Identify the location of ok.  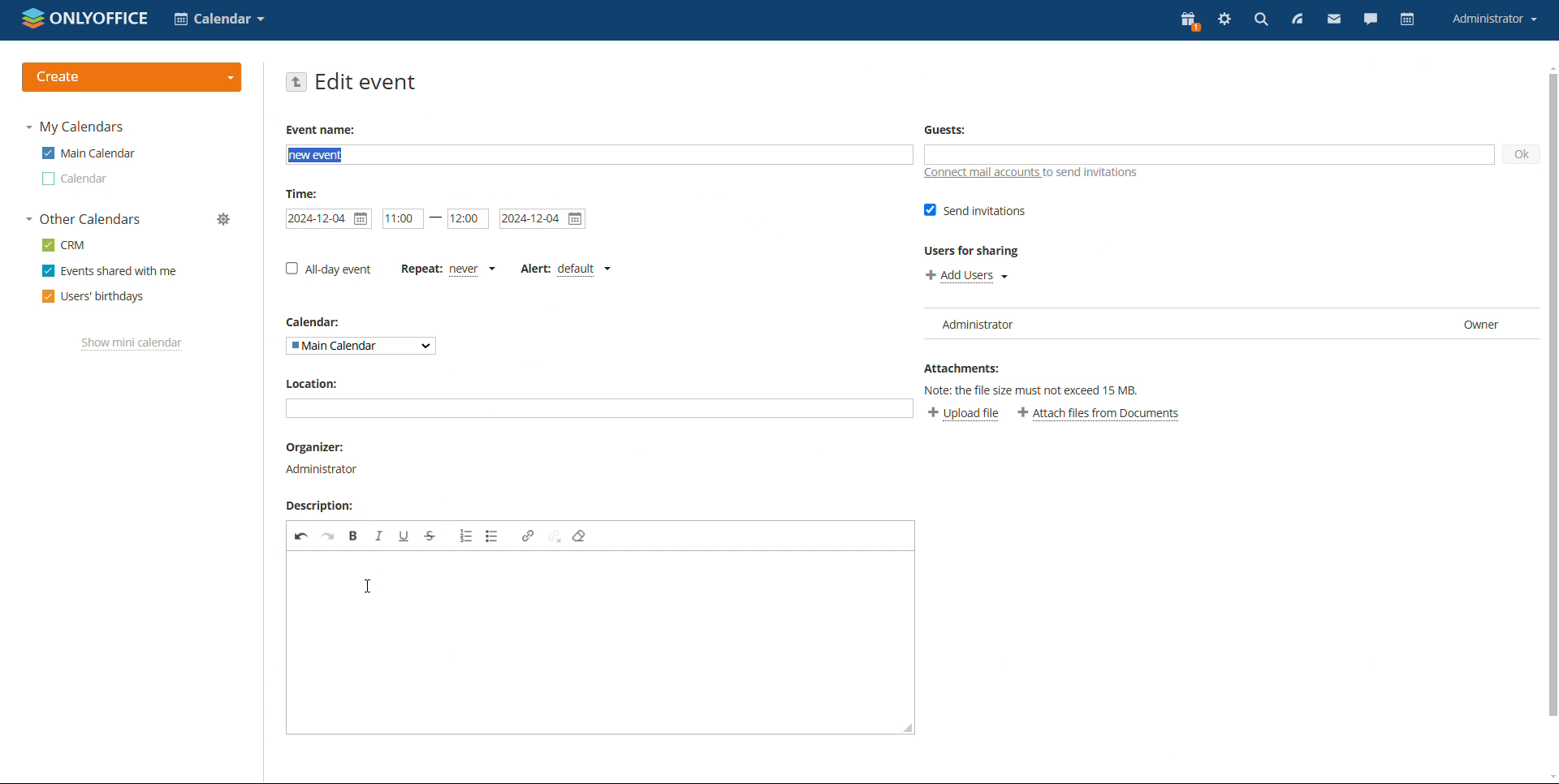
(1522, 154).